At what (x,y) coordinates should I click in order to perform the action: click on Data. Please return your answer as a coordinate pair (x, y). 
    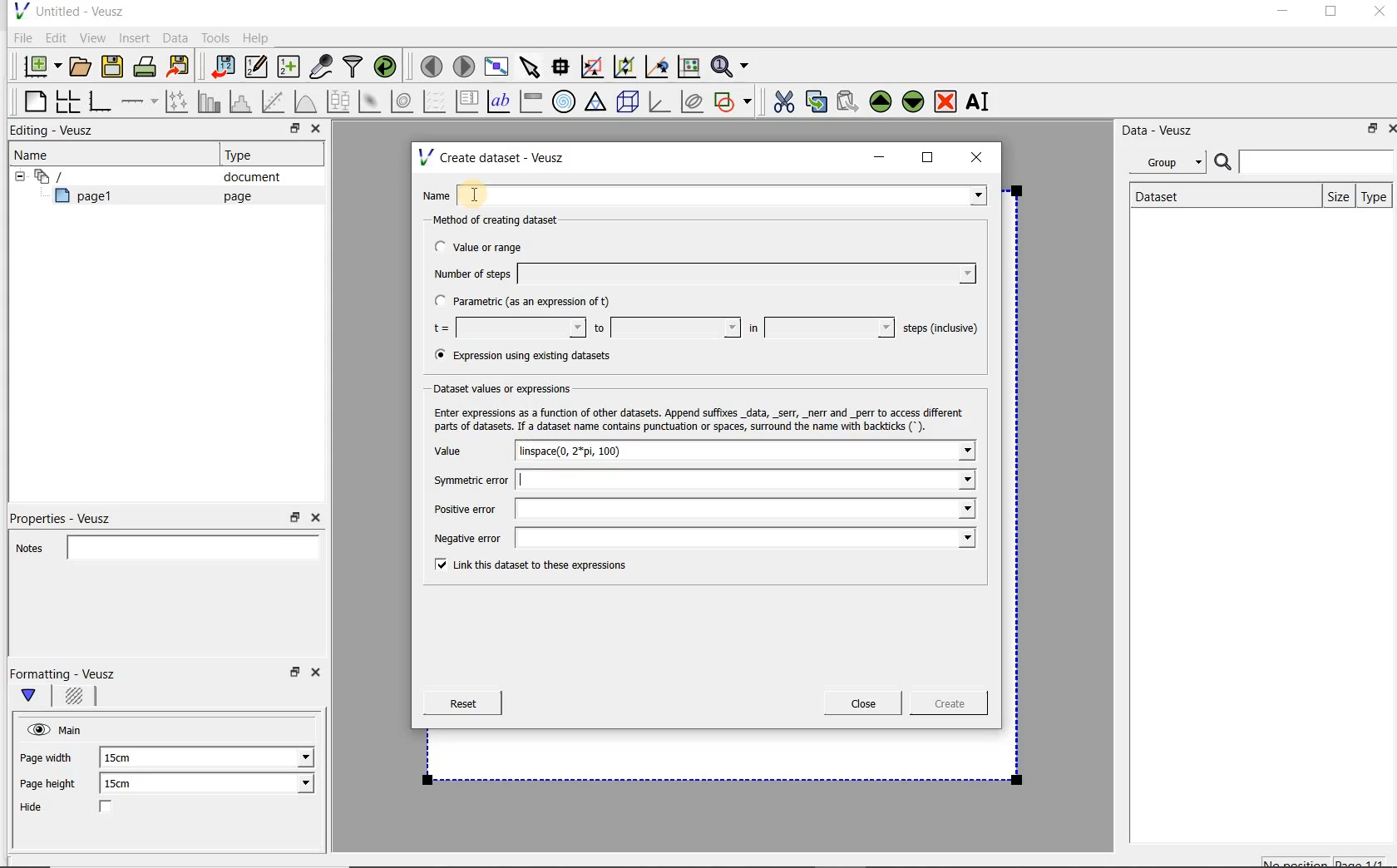
    Looking at the image, I should click on (176, 37).